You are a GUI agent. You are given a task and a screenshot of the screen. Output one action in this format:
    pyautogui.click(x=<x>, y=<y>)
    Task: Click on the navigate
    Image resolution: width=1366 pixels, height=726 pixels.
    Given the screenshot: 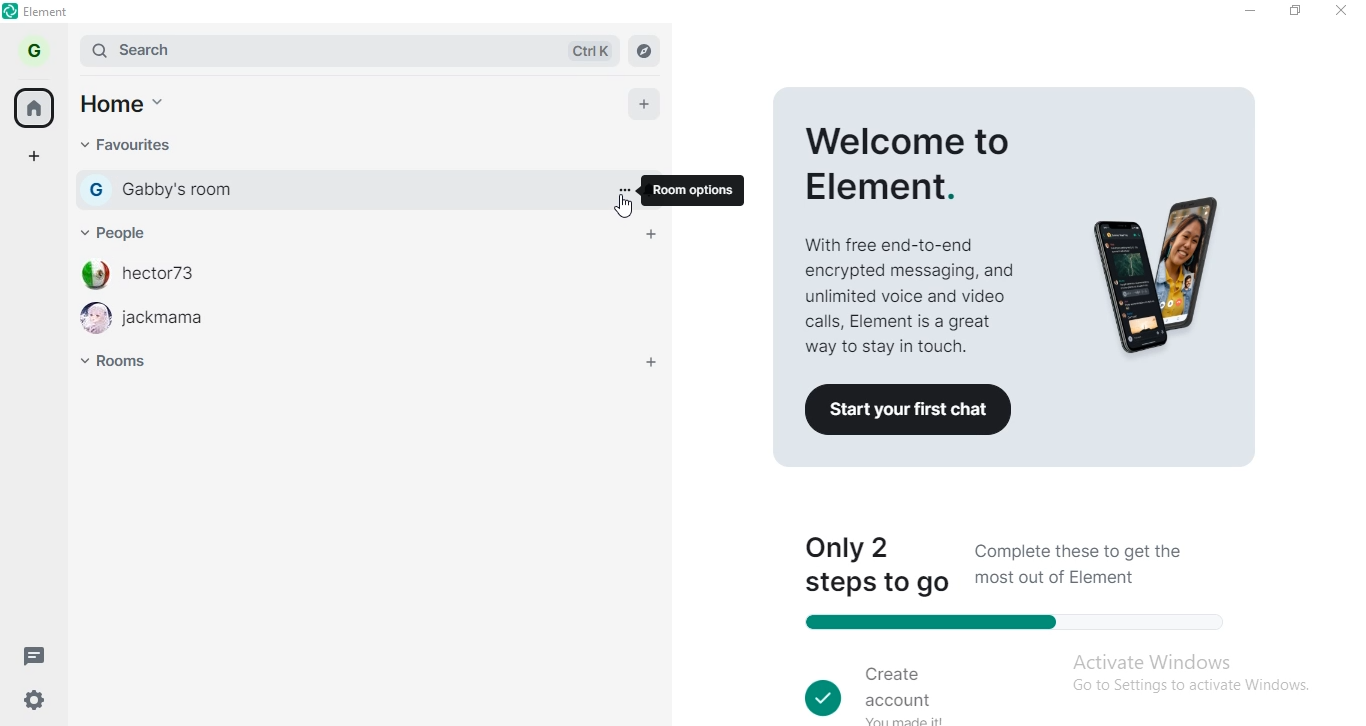 What is the action you would take?
    pyautogui.click(x=647, y=51)
    